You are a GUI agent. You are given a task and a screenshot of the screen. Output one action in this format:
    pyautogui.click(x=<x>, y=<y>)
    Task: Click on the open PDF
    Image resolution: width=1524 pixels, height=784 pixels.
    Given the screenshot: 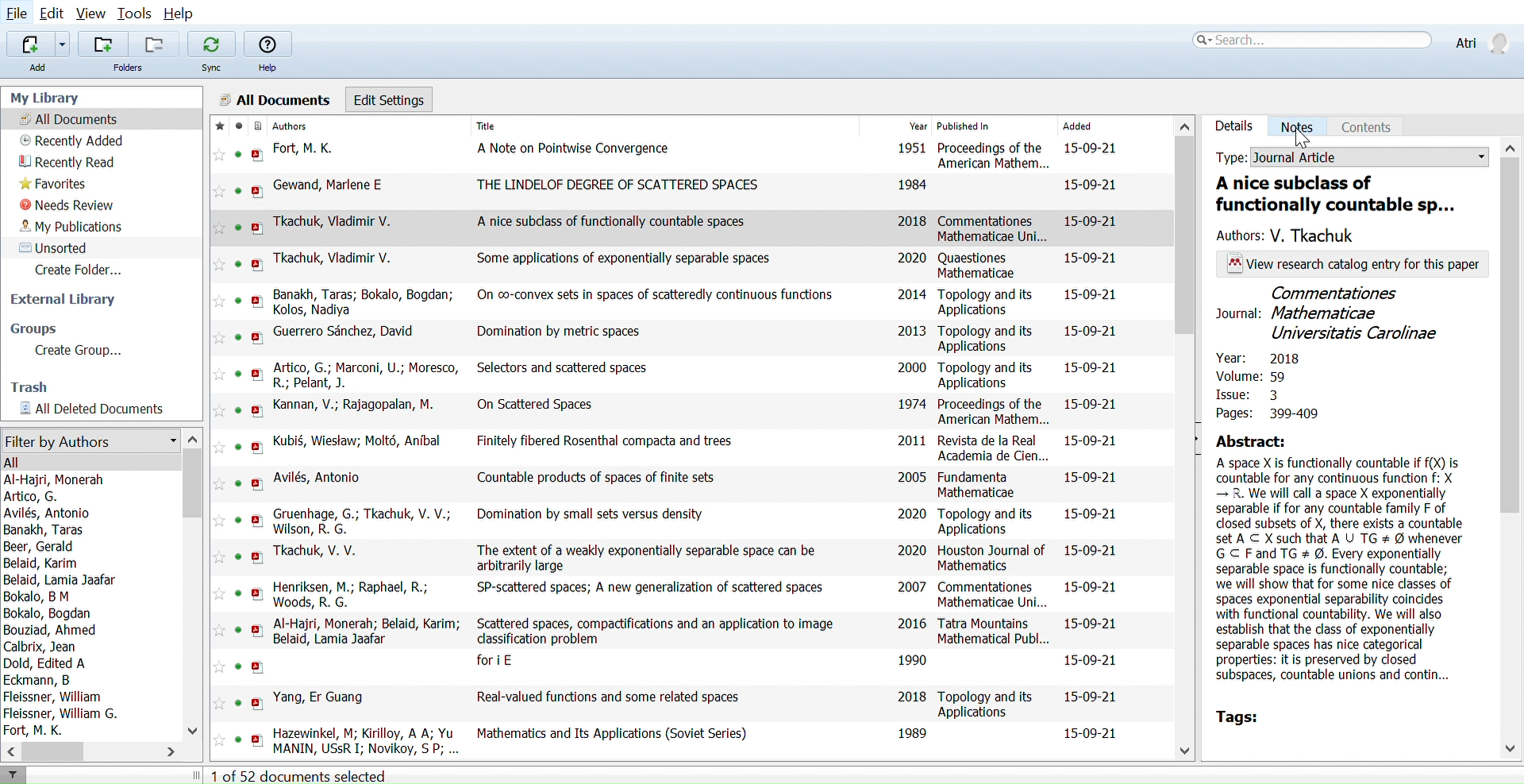 What is the action you would take?
    pyautogui.click(x=258, y=556)
    